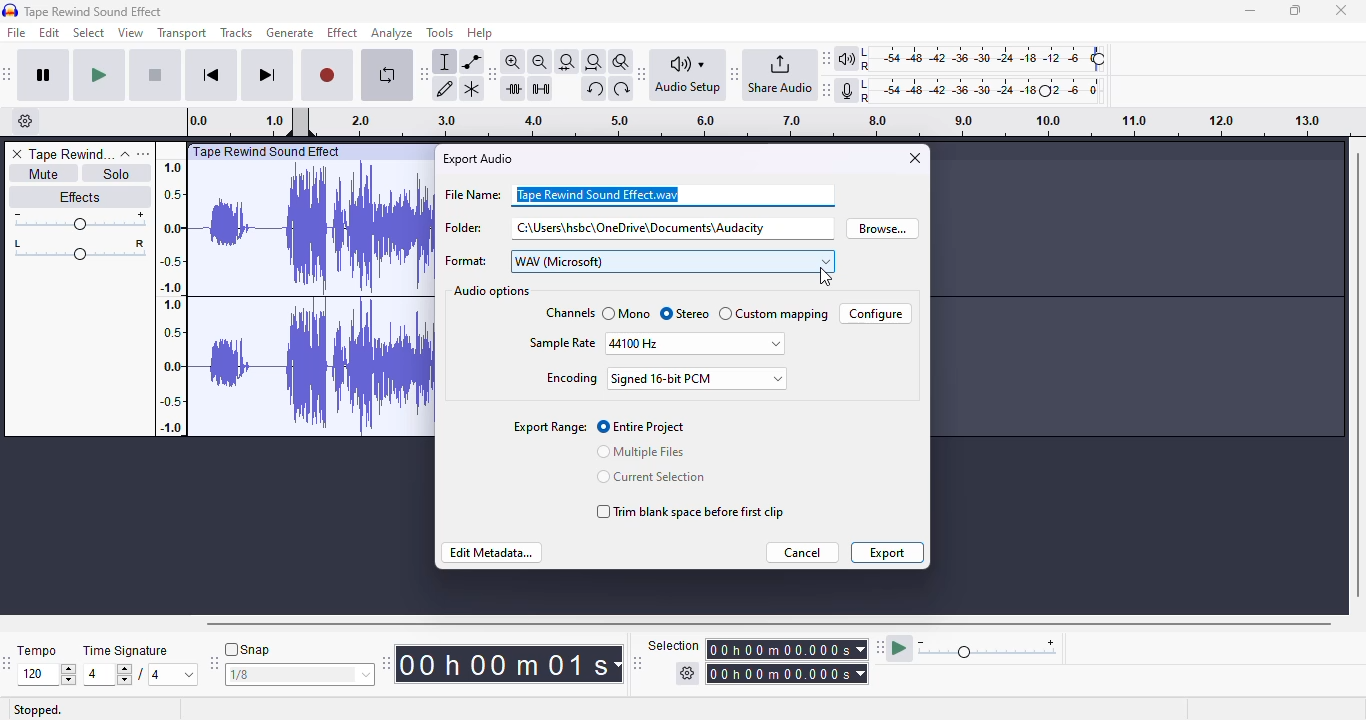 The height and width of the screenshot is (720, 1366). What do you see at coordinates (43, 76) in the screenshot?
I see `pause` at bounding box center [43, 76].